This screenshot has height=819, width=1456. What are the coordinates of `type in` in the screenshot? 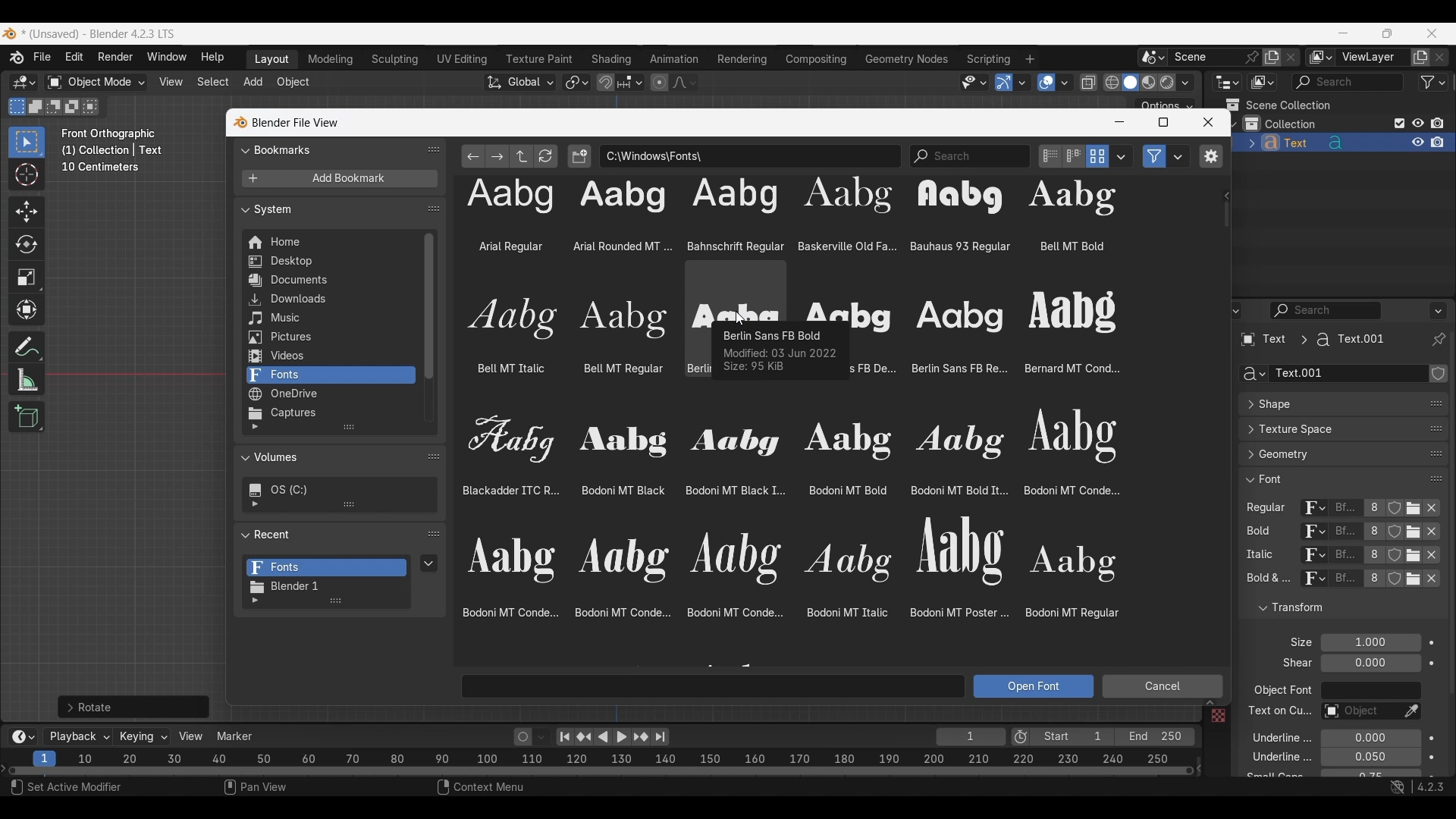 It's located at (714, 686).